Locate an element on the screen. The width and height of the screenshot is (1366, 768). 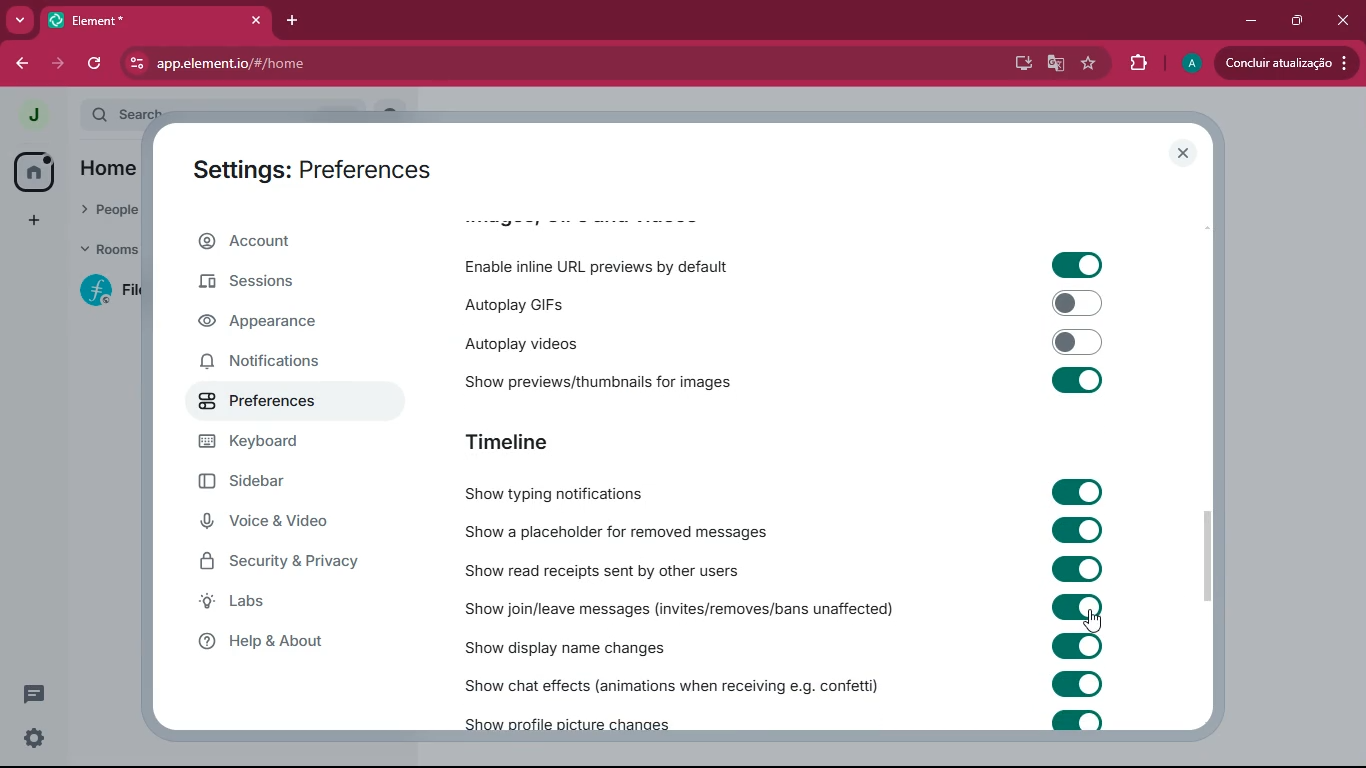
refresh is located at coordinates (96, 65).